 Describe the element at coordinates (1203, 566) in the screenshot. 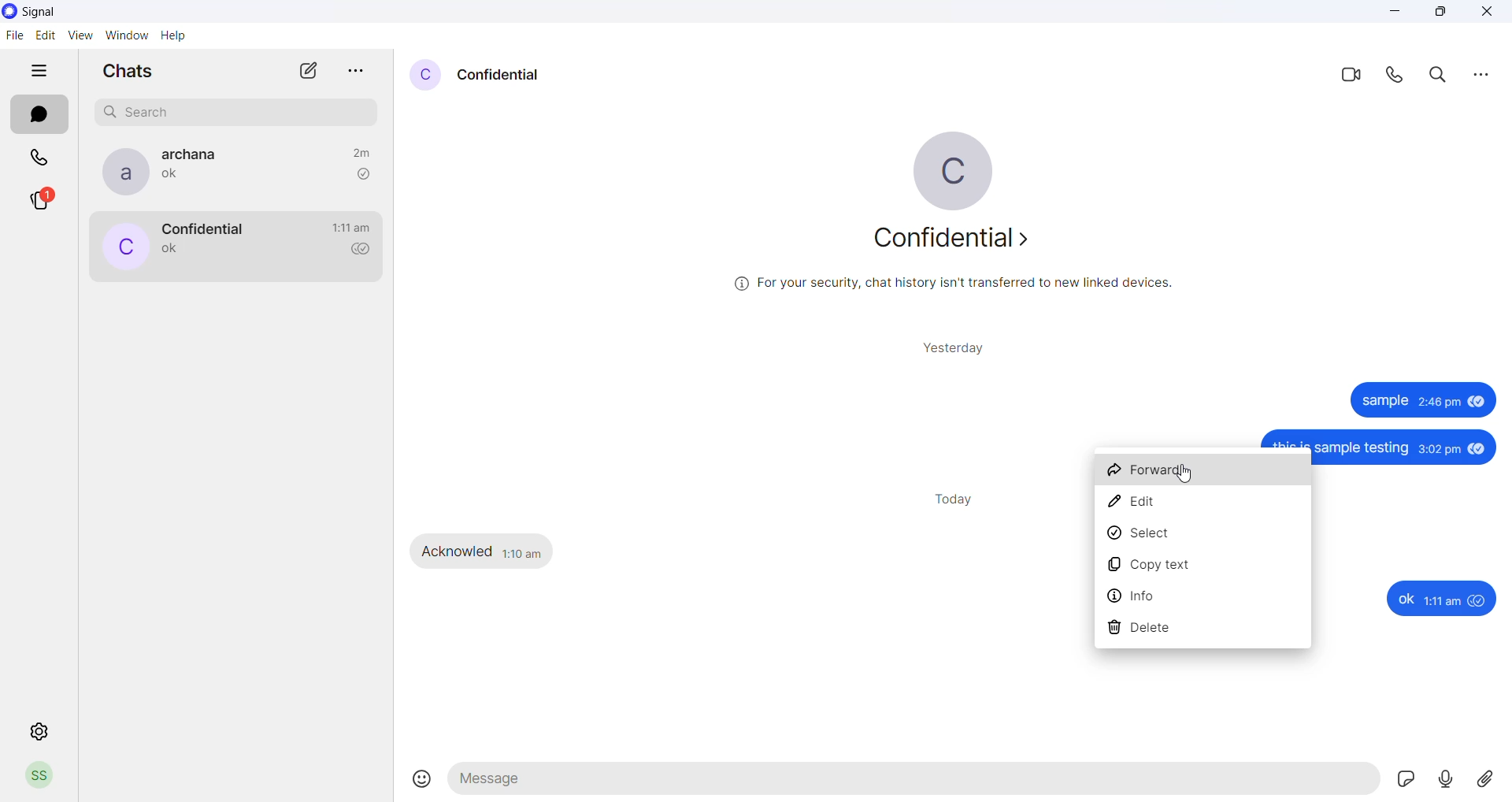

I see `copy text` at that location.